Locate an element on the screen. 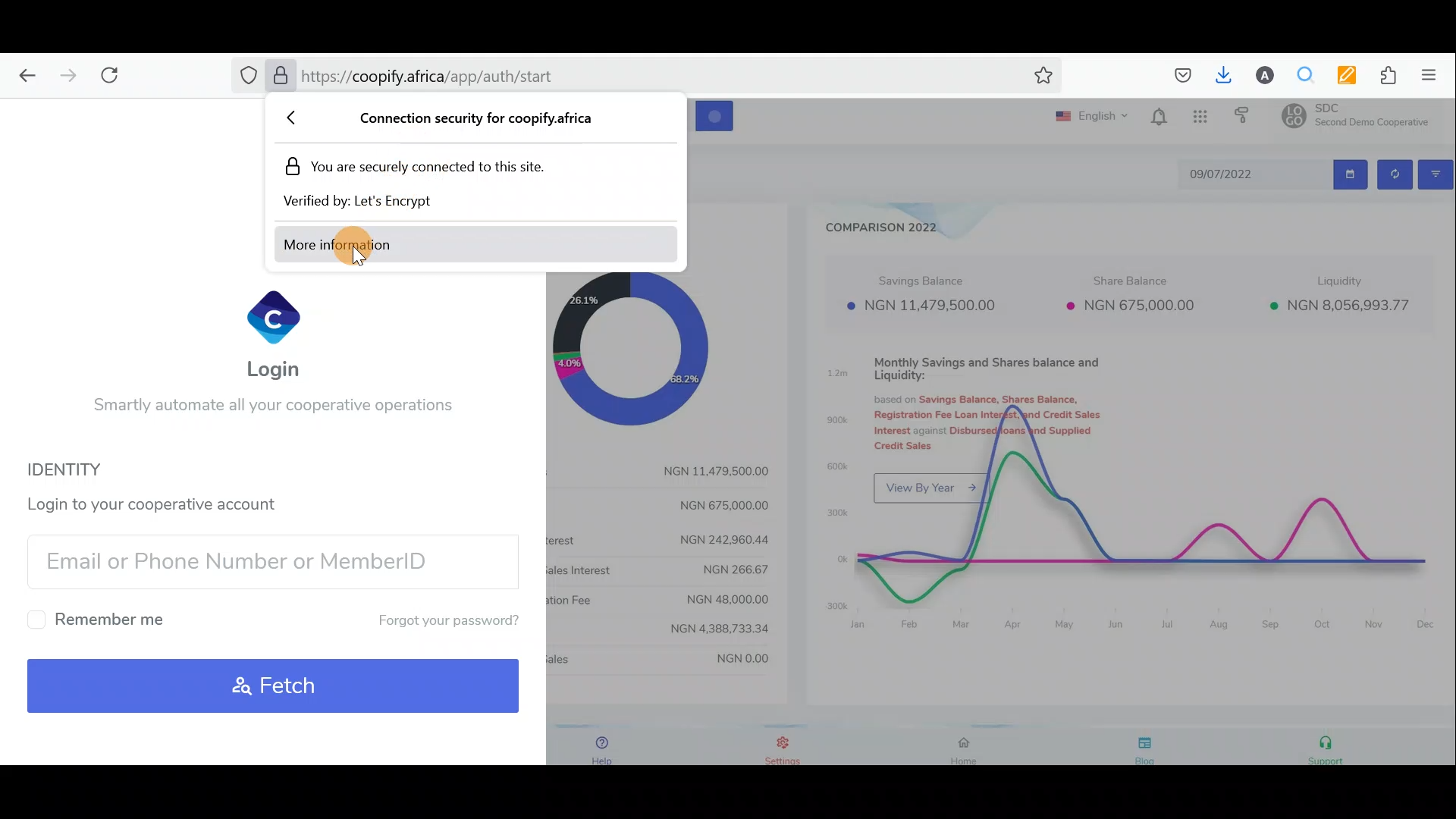  Email/Phone number/Member ID is located at coordinates (265, 560).